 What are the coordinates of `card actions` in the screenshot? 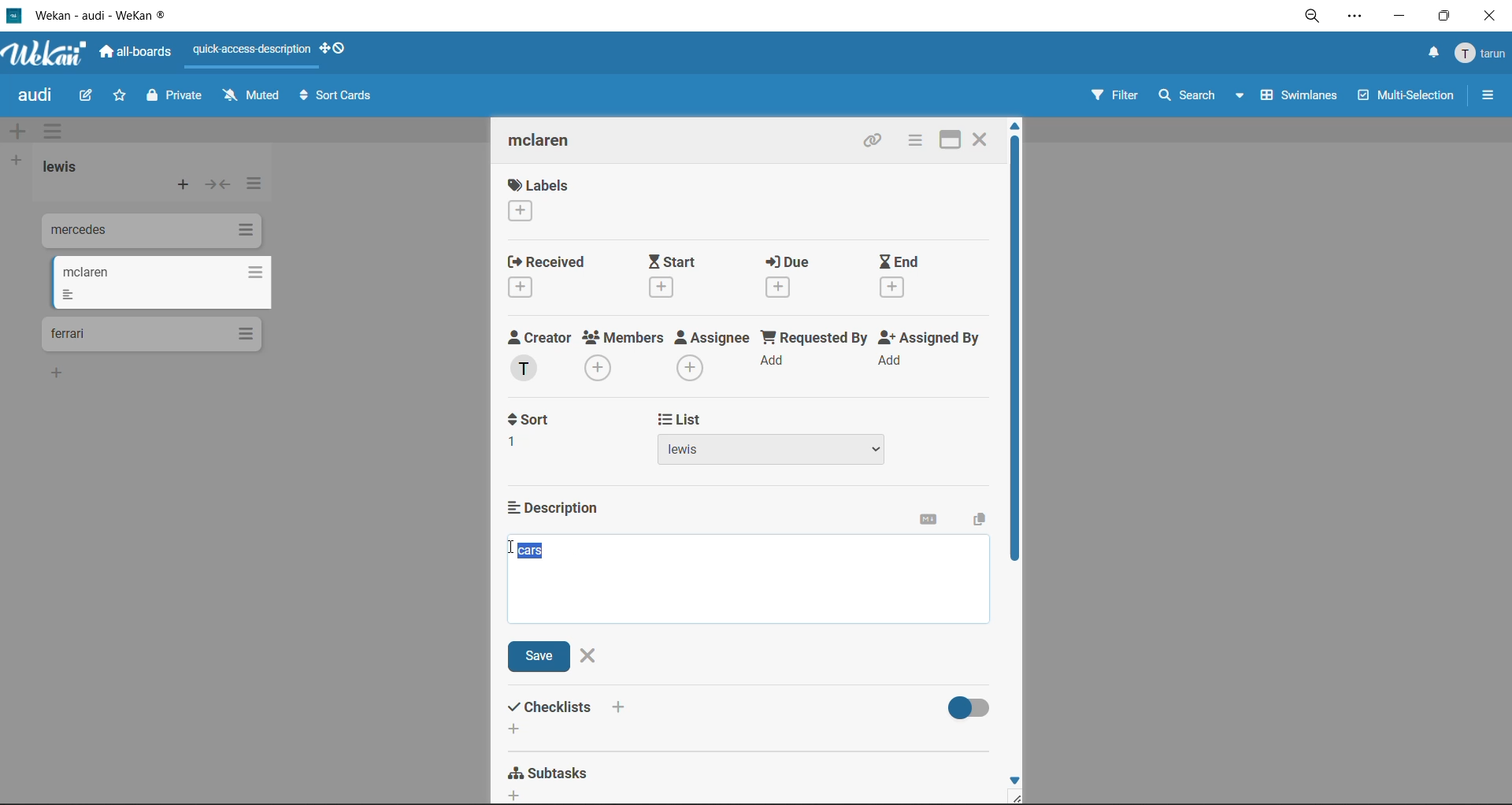 It's located at (914, 140).